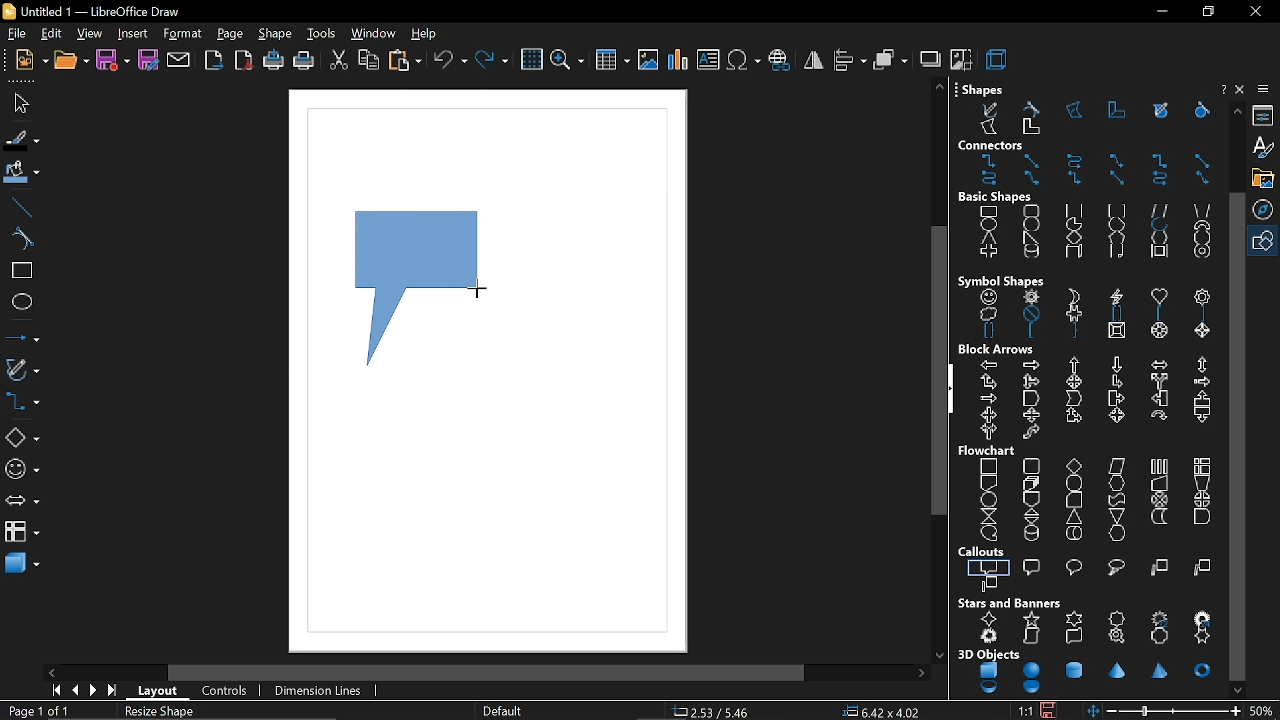 The height and width of the screenshot is (720, 1280). Describe the element at coordinates (744, 61) in the screenshot. I see `insert symbol` at that location.